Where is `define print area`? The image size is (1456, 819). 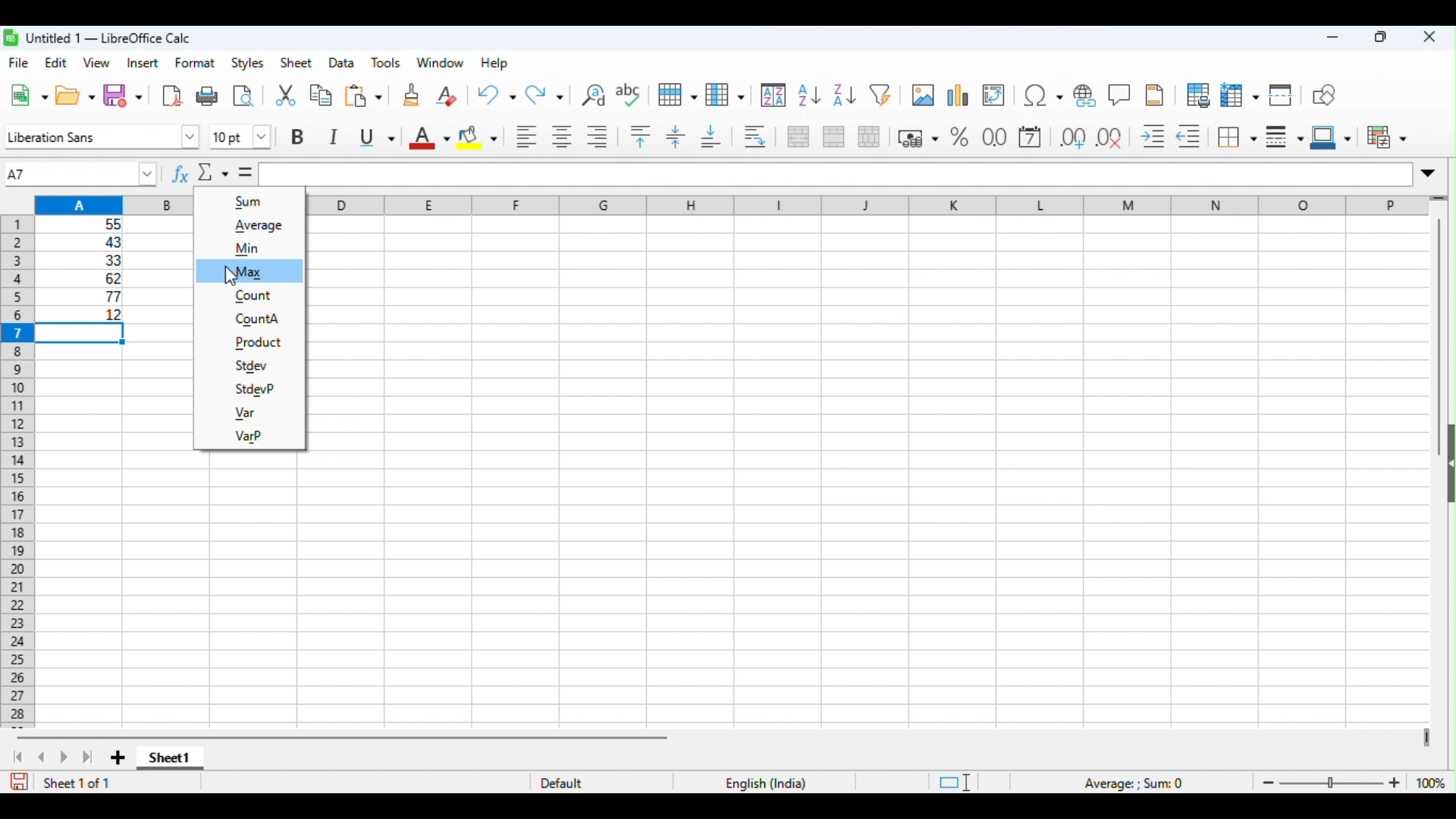
define print area is located at coordinates (1197, 93).